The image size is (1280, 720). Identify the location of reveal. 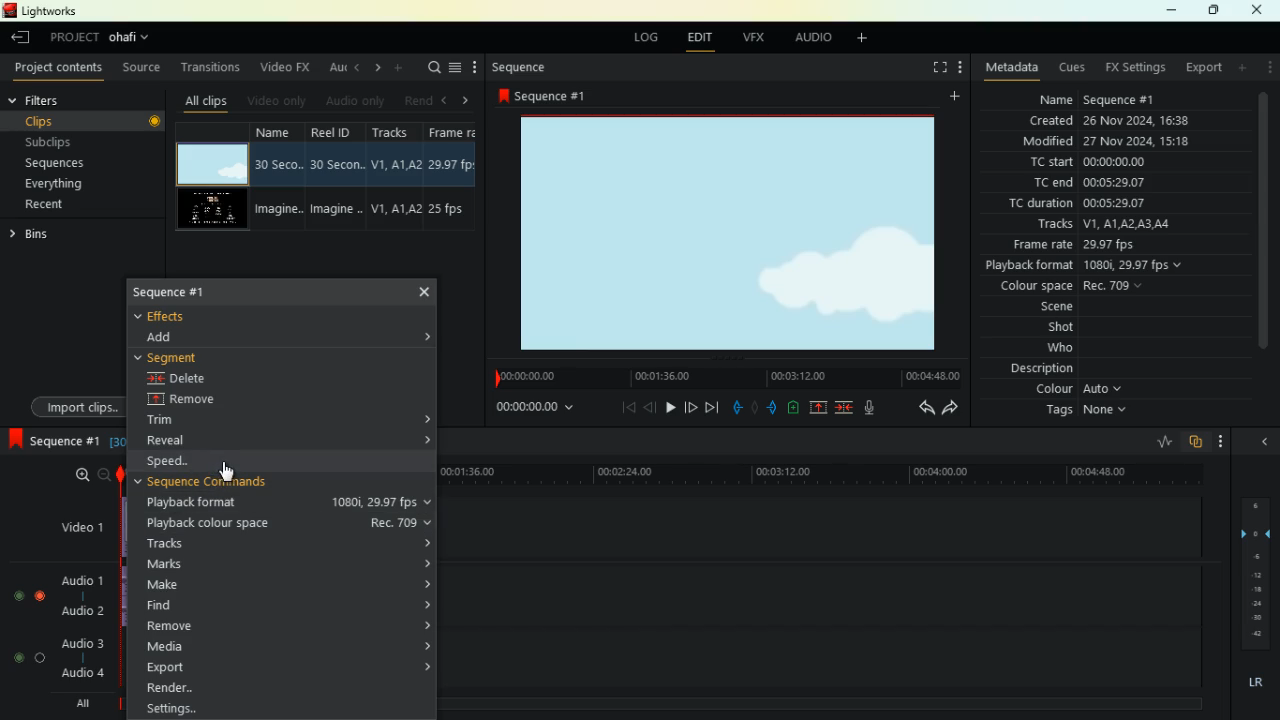
(189, 439).